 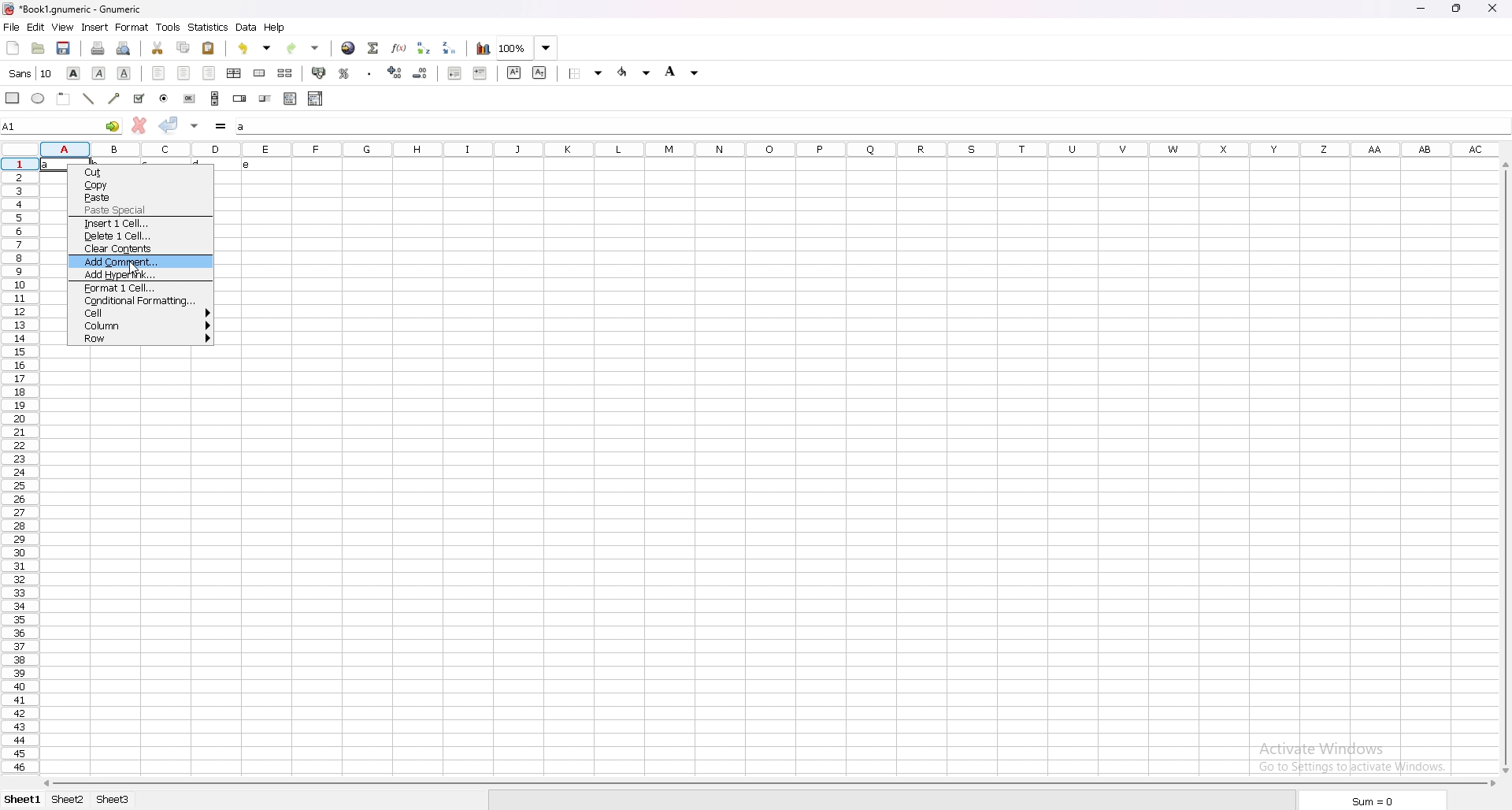 What do you see at coordinates (169, 28) in the screenshot?
I see `tools` at bounding box center [169, 28].